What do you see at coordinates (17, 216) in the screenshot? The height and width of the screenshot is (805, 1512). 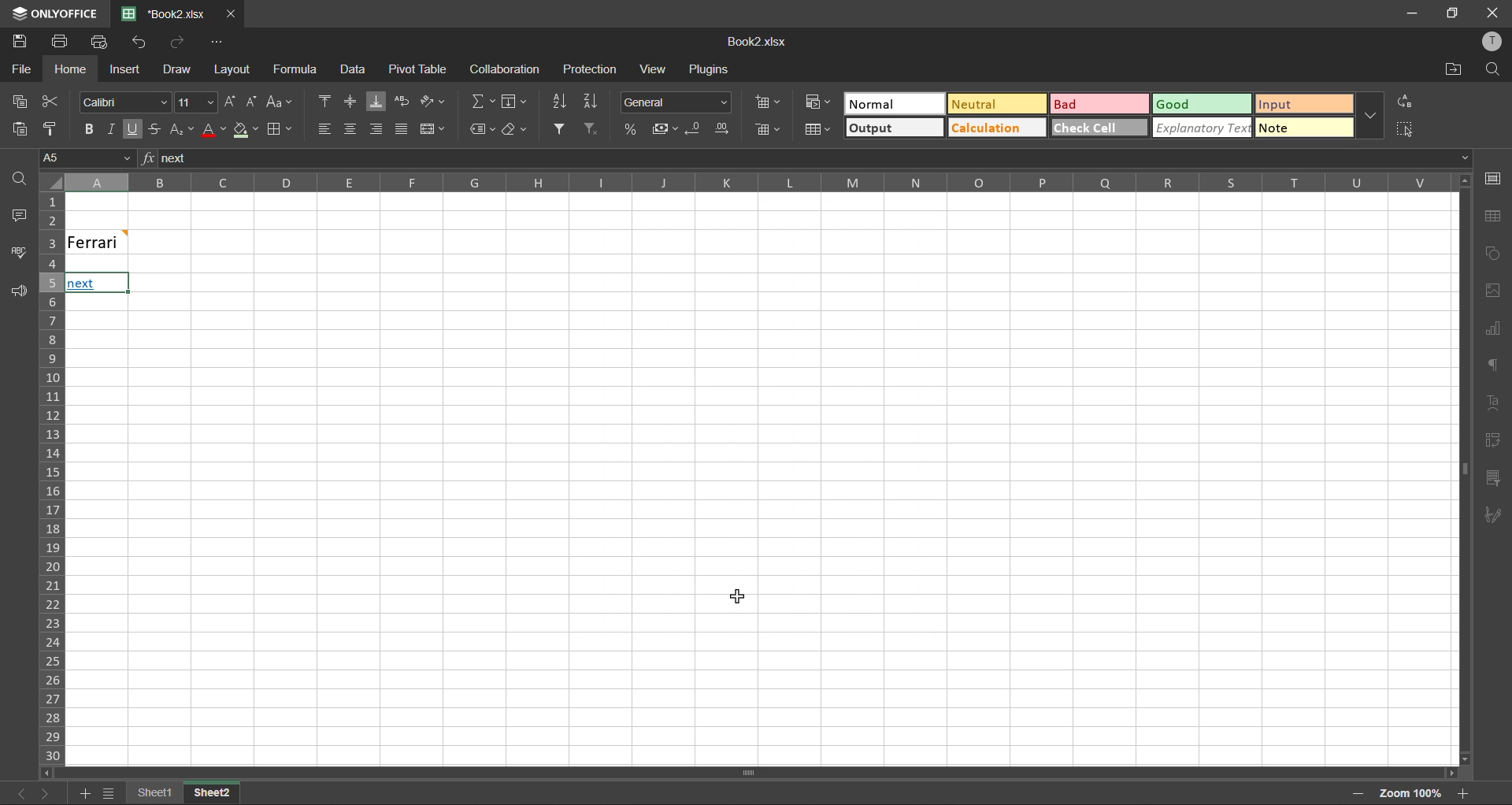 I see `comments` at bounding box center [17, 216].